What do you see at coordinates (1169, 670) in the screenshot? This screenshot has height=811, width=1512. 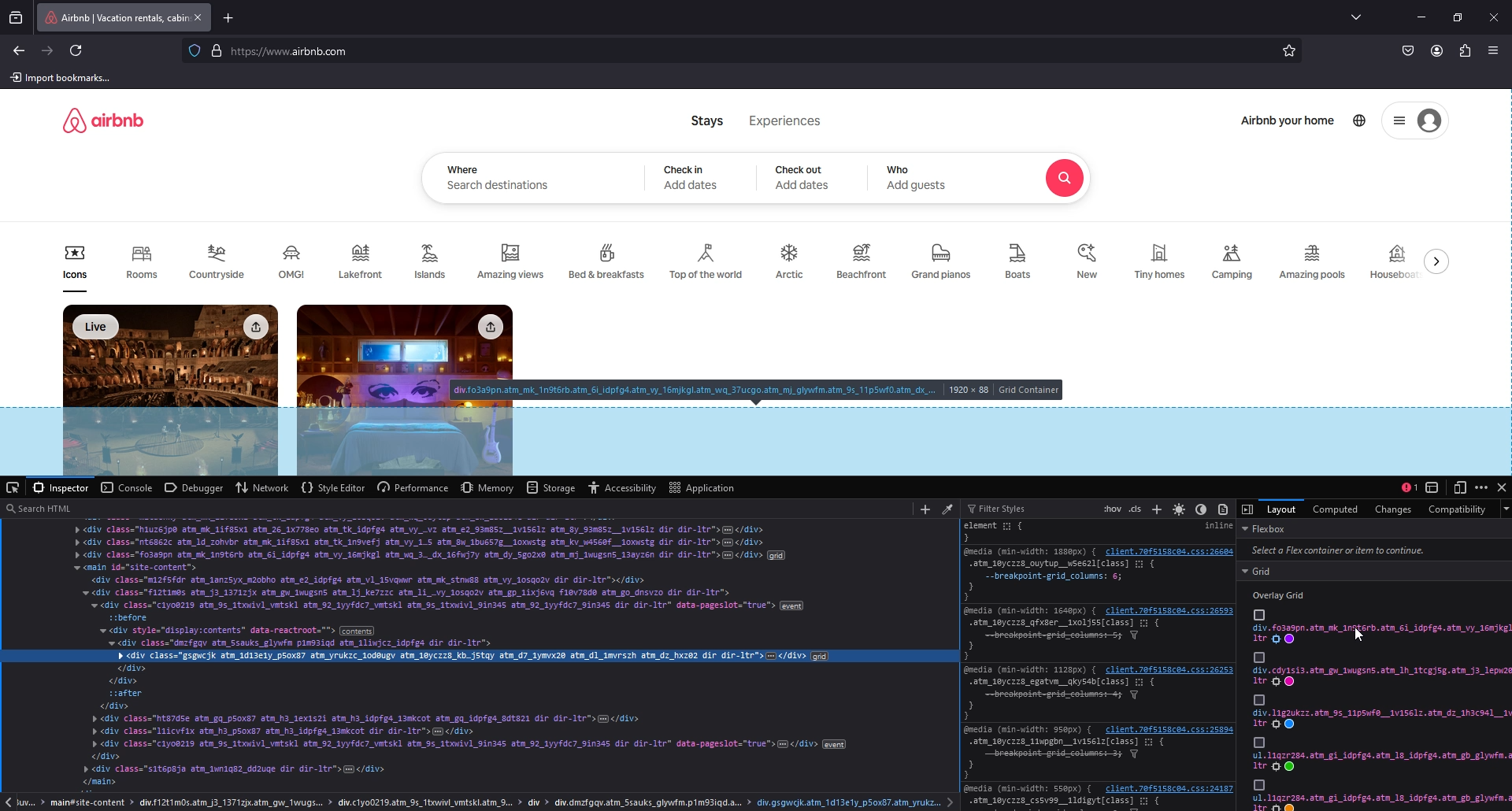 I see `link` at bounding box center [1169, 670].